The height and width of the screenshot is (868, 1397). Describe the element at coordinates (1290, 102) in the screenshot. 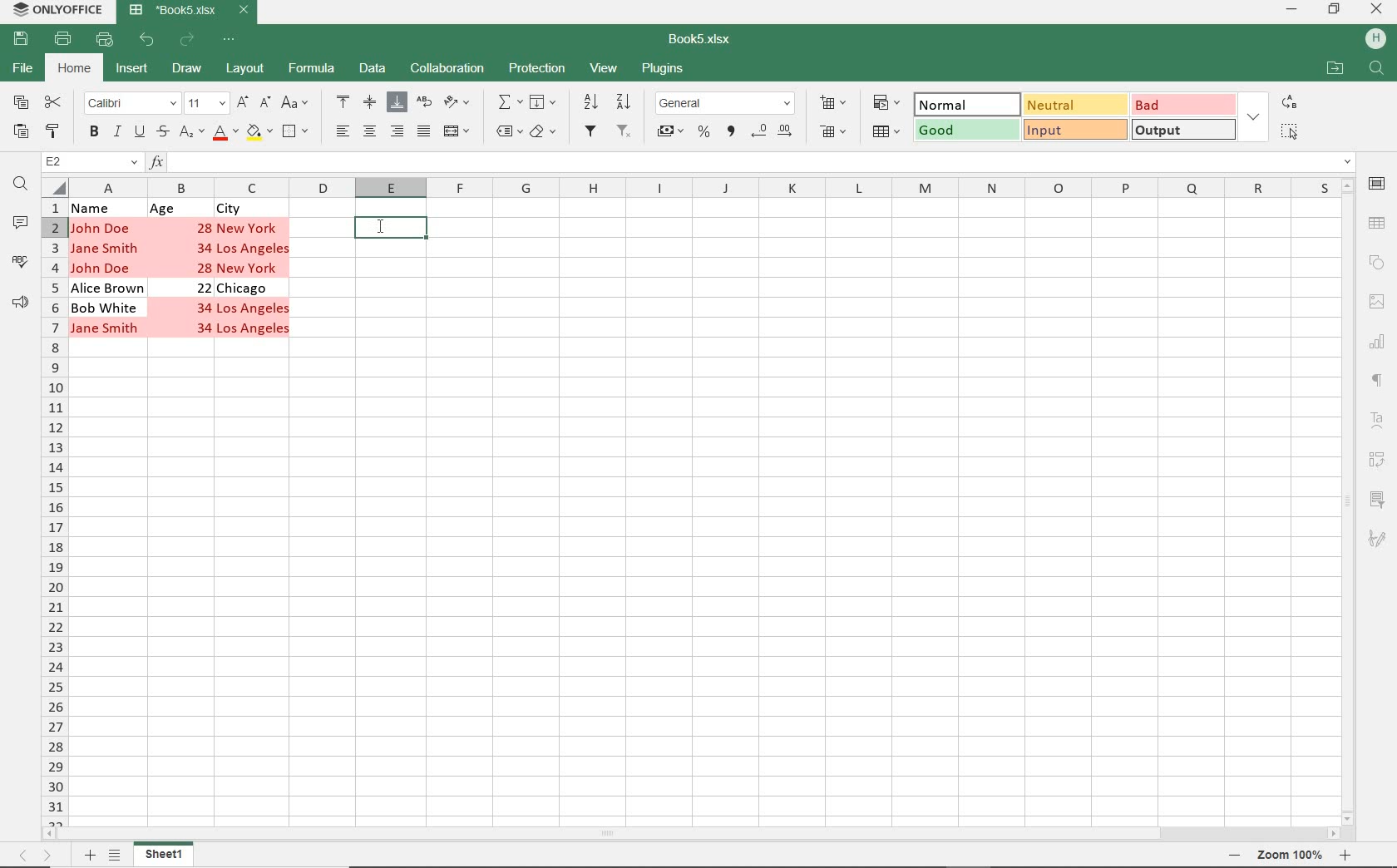

I see `REPLACE` at that location.